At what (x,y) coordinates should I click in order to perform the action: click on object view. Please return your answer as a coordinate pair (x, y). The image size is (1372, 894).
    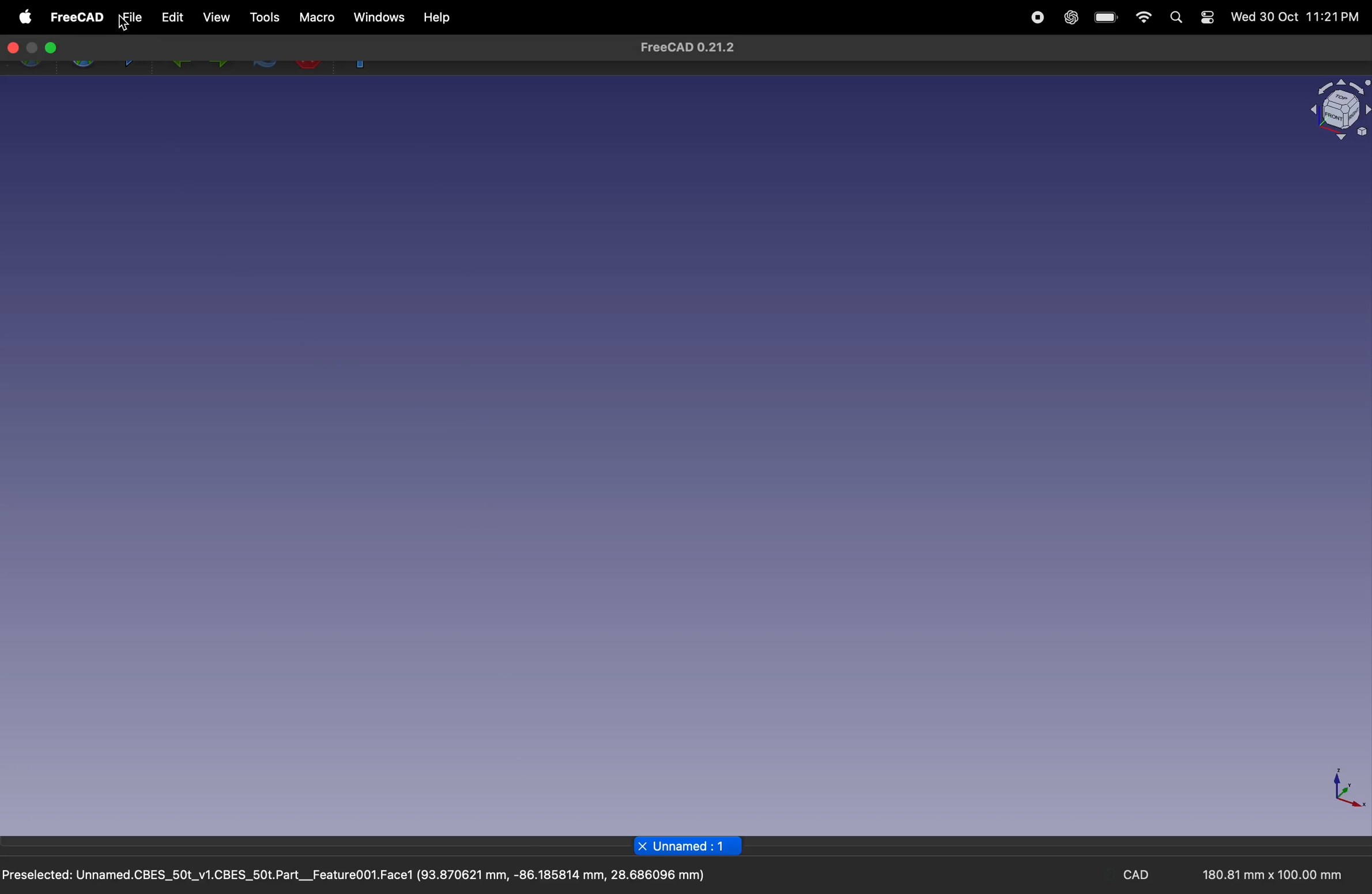
    Looking at the image, I should click on (1337, 111).